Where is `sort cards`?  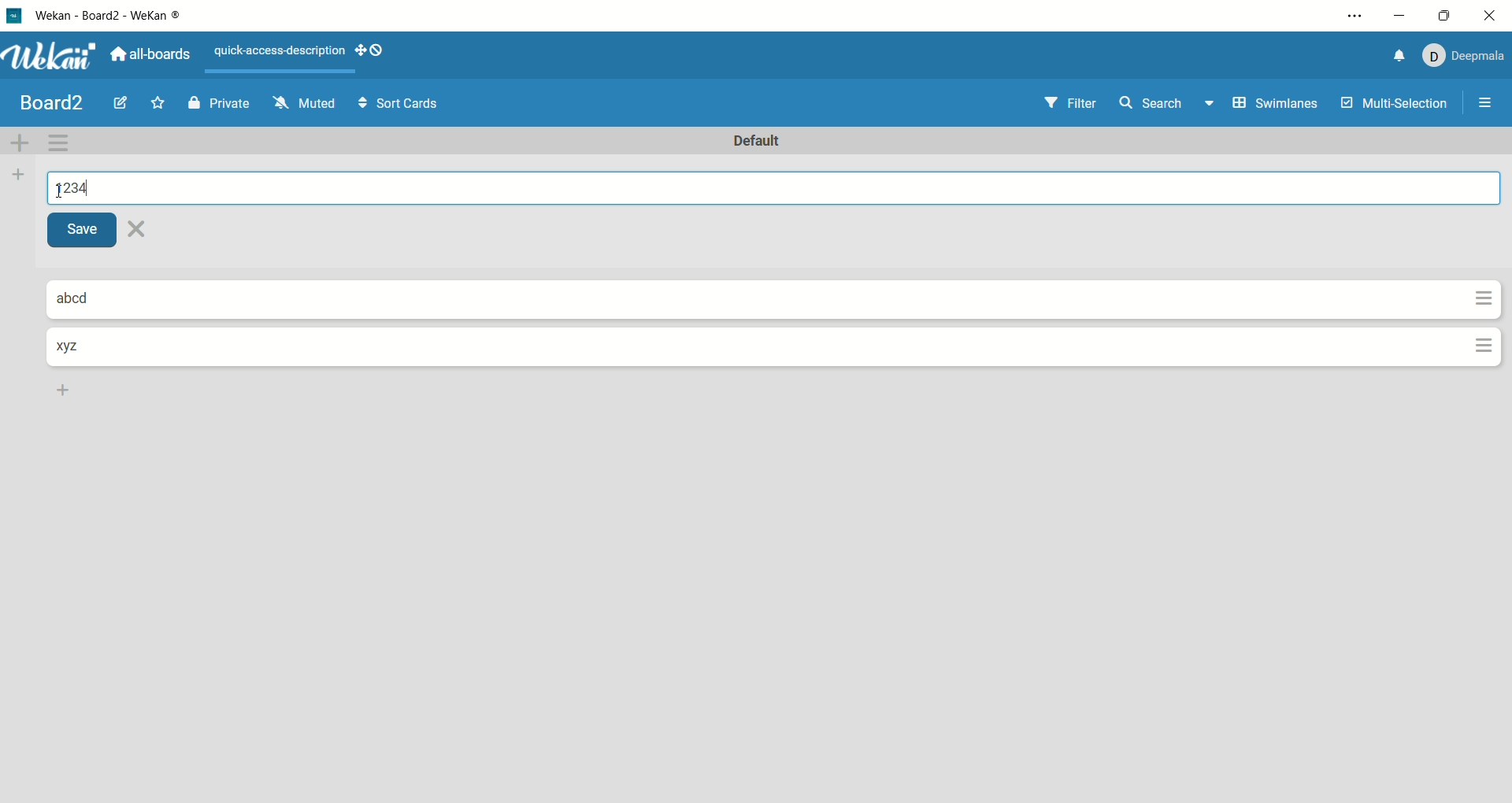
sort cards is located at coordinates (395, 104).